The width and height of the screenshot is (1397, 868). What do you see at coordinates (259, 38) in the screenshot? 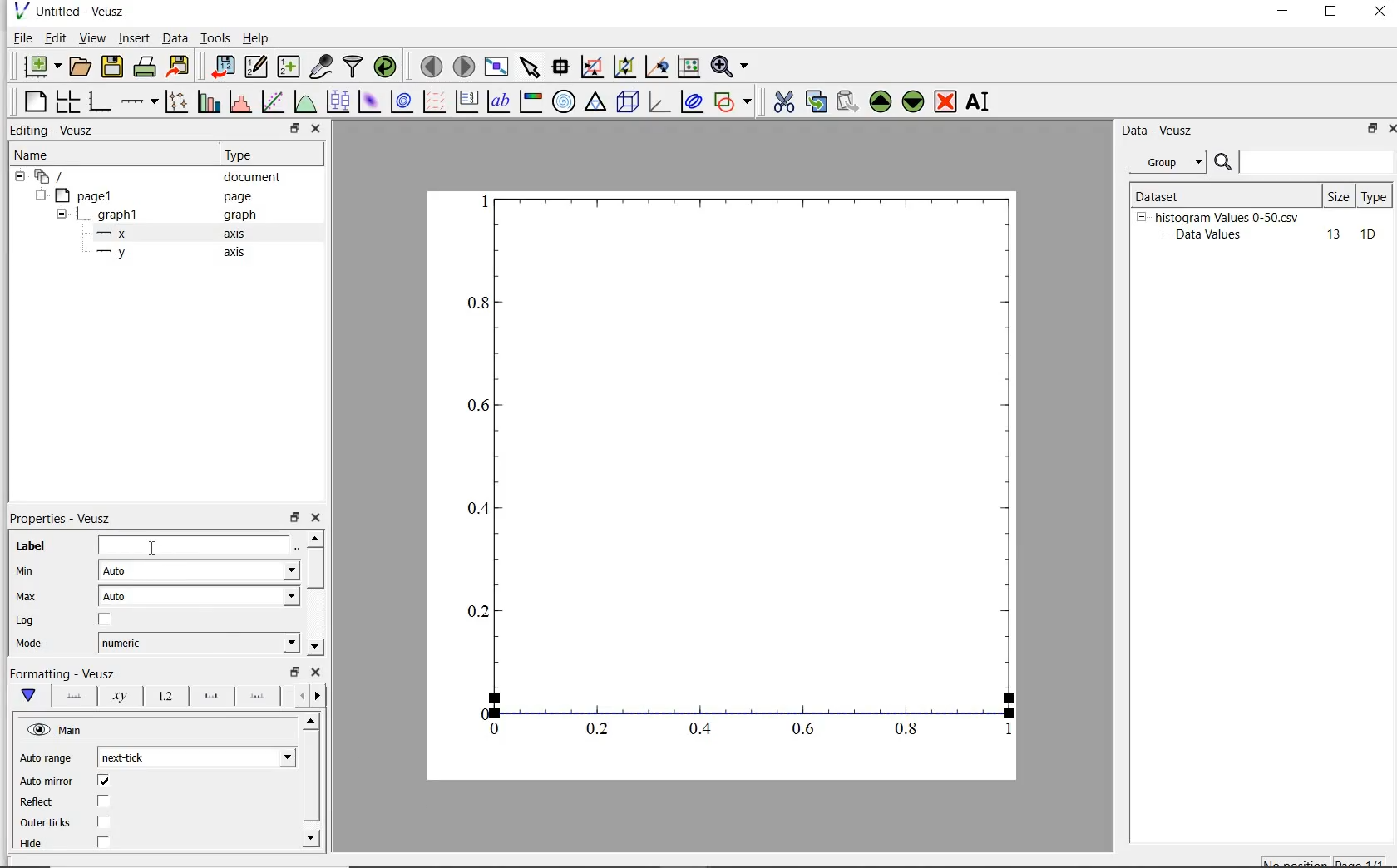
I see `help` at bounding box center [259, 38].